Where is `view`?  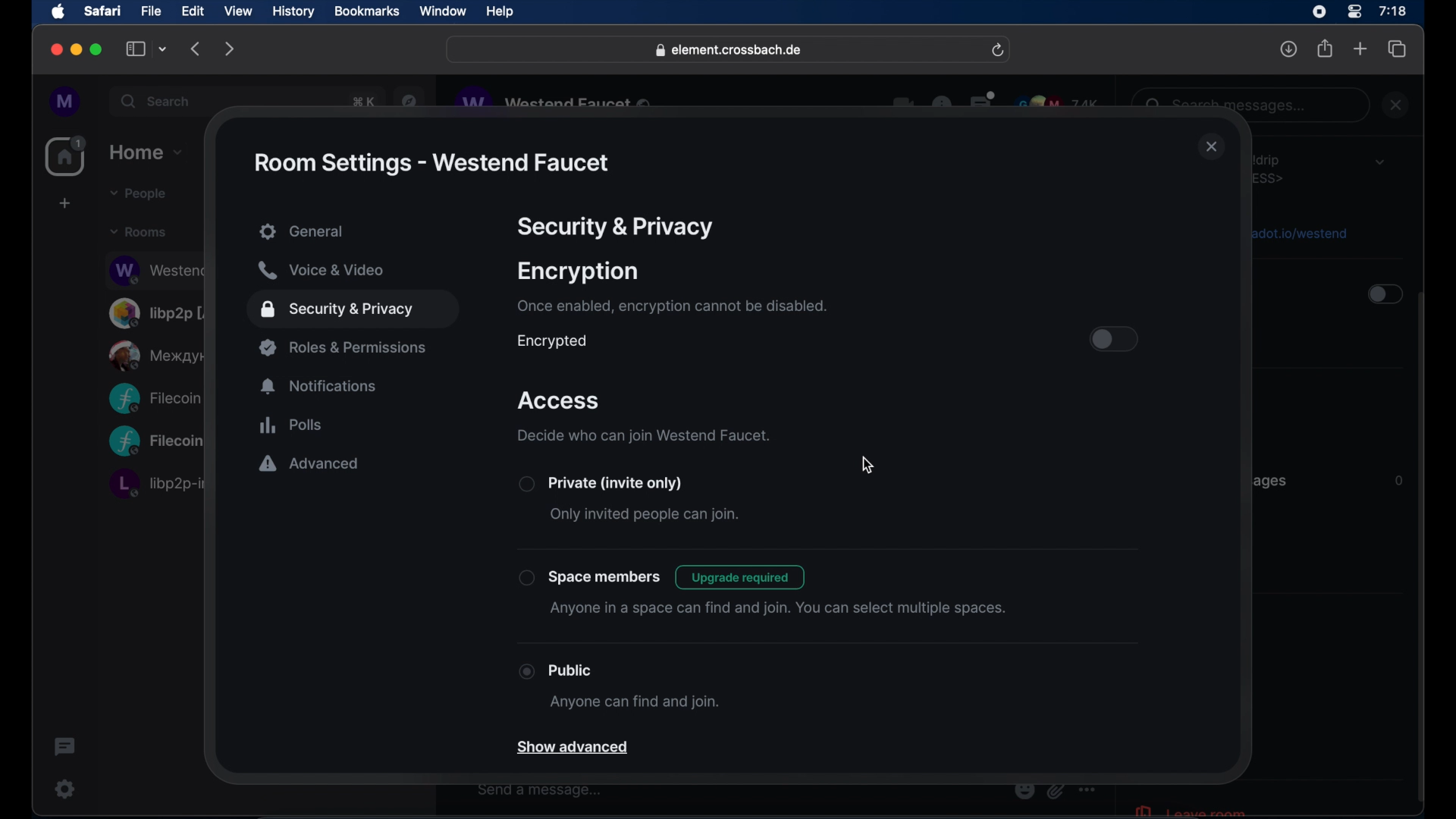 view is located at coordinates (237, 11).